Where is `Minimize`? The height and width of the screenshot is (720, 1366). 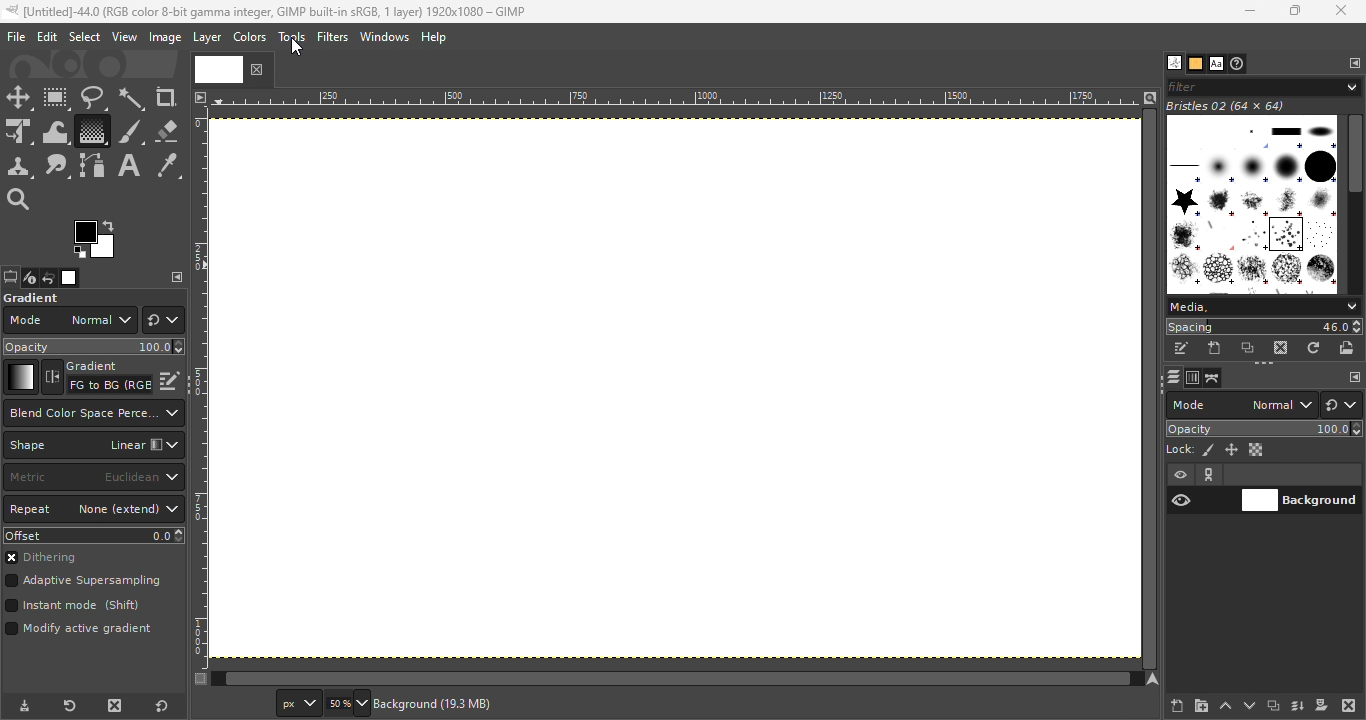 Minimize is located at coordinates (1247, 11).